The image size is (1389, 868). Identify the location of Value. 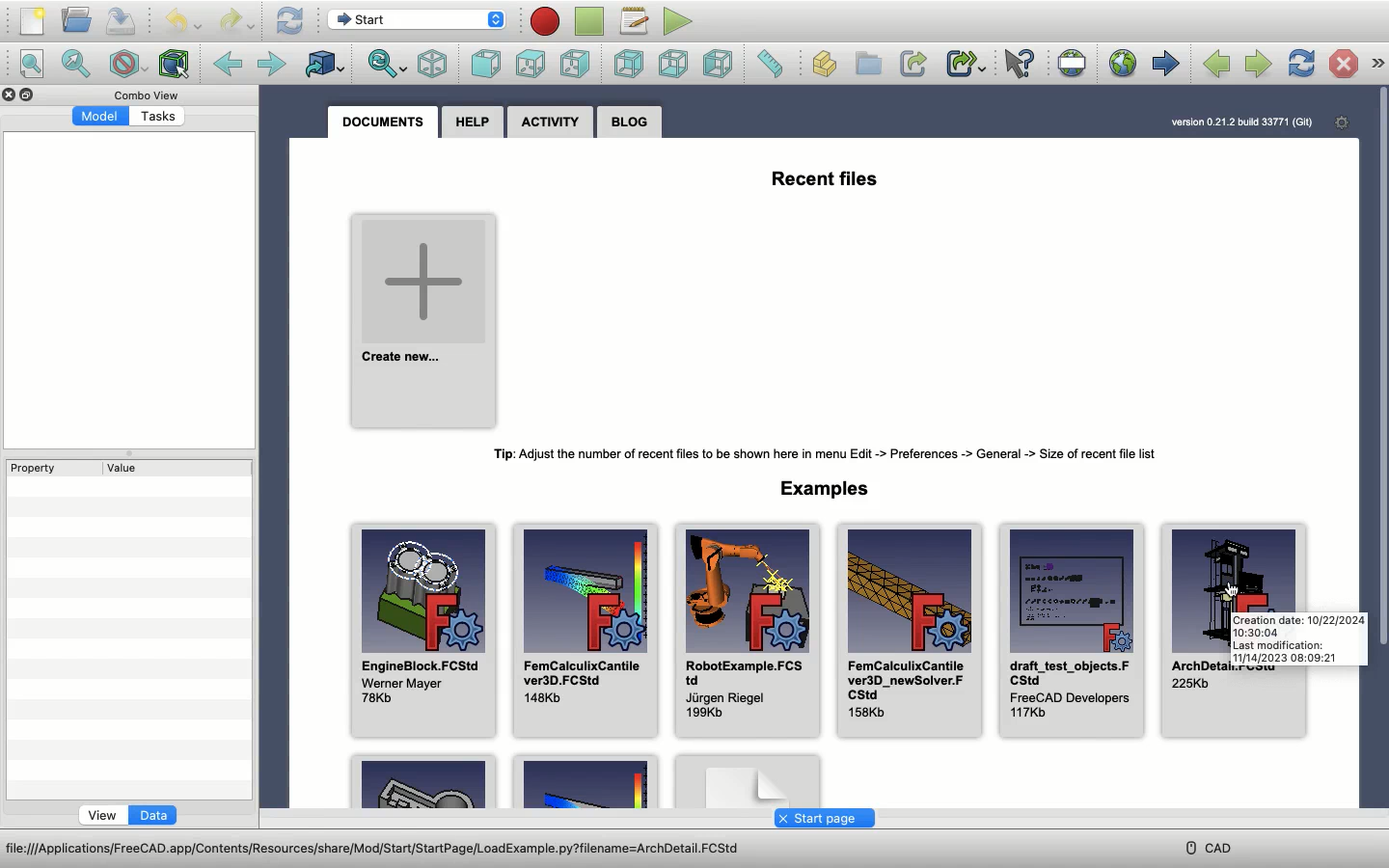
(129, 468).